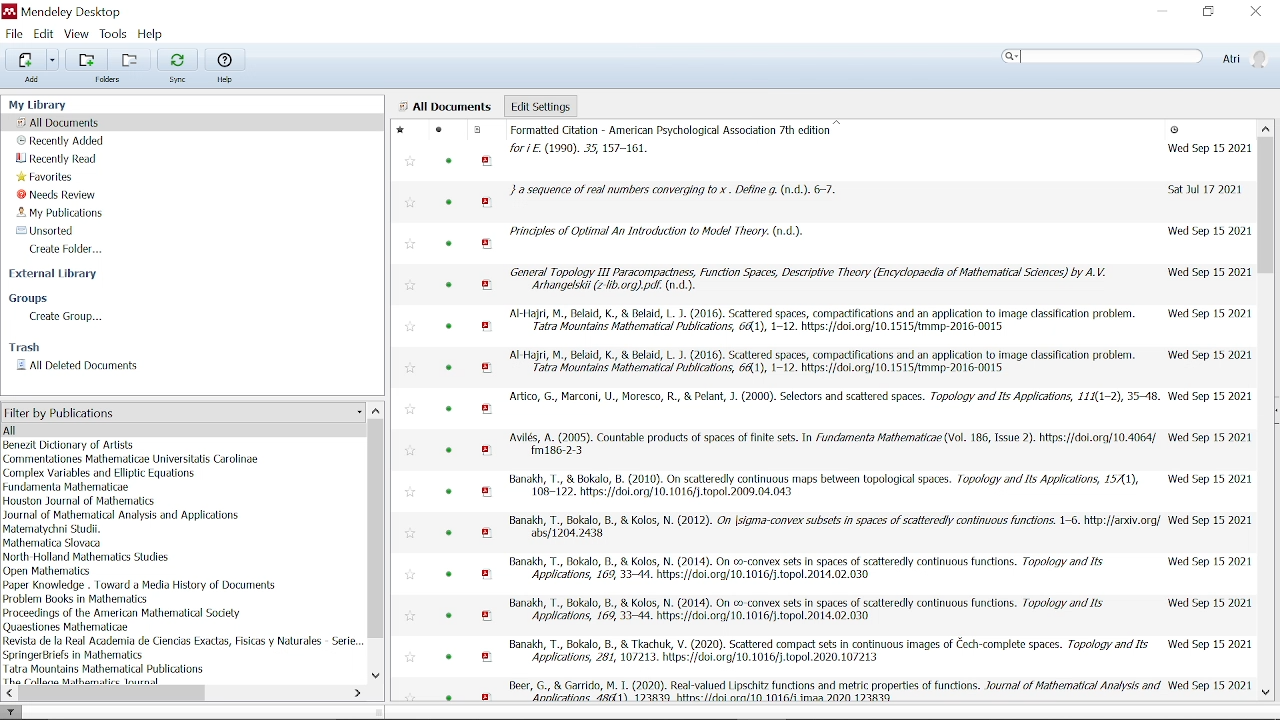 The image size is (1280, 720). Describe the element at coordinates (183, 640) in the screenshot. I see `author` at that location.